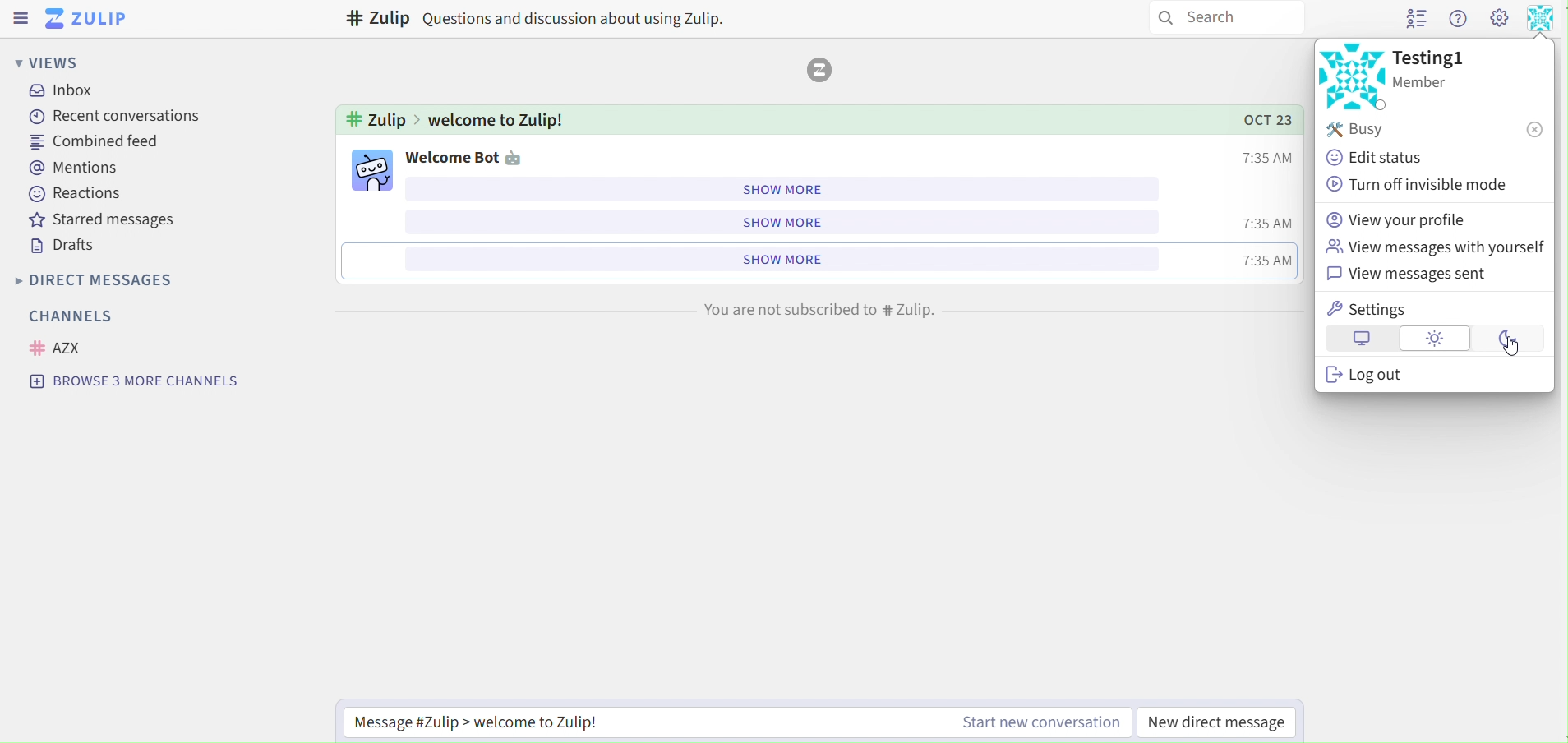  What do you see at coordinates (777, 223) in the screenshot?
I see `show more` at bounding box center [777, 223].